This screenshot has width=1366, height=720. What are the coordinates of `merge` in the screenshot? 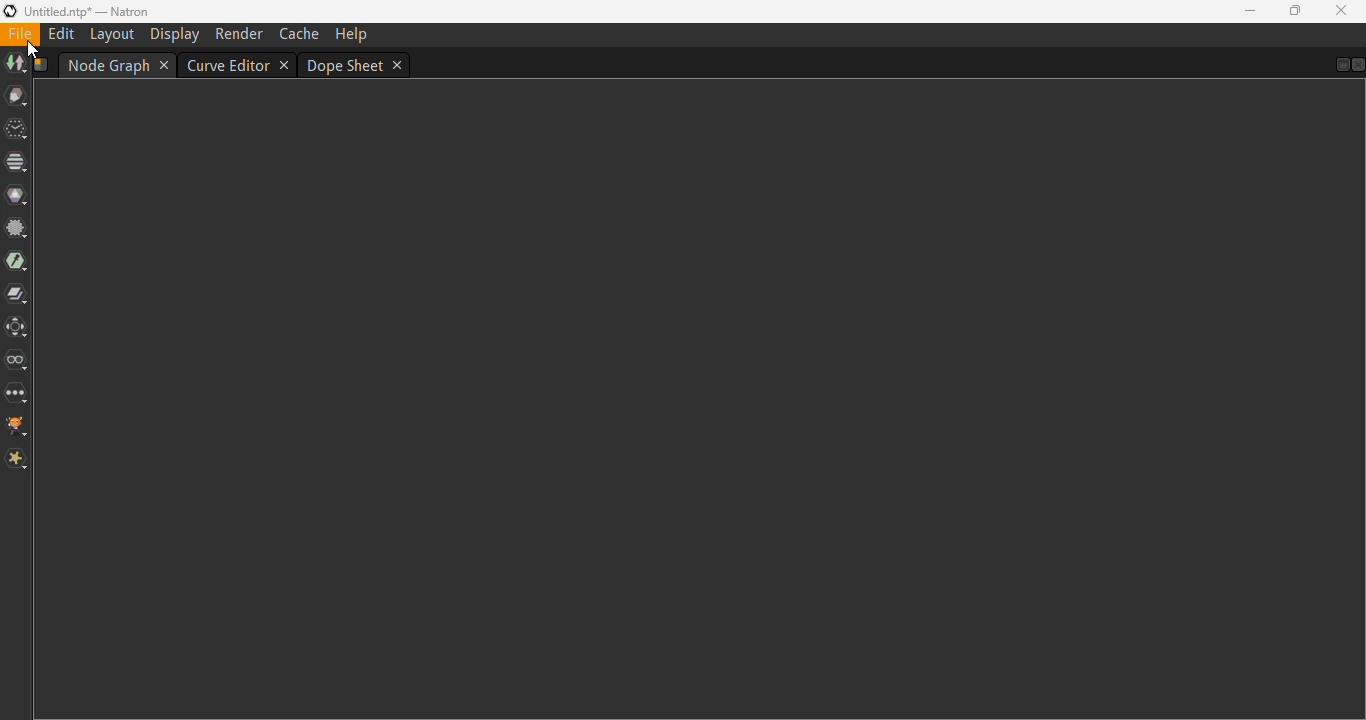 It's located at (17, 295).